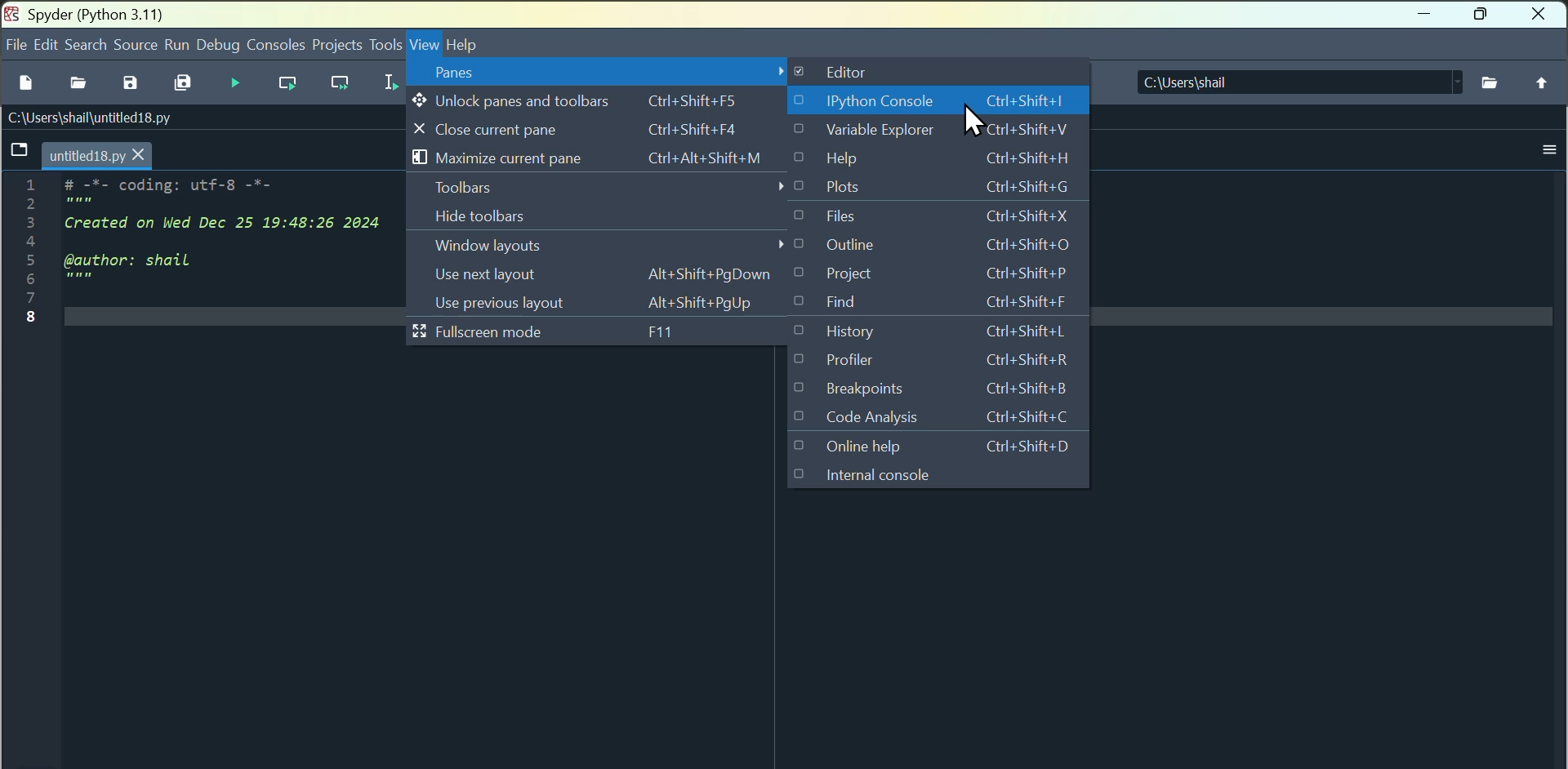 This screenshot has width=1568, height=769. Describe the element at coordinates (76, 82) in the screenshot. I see `open` at that location.